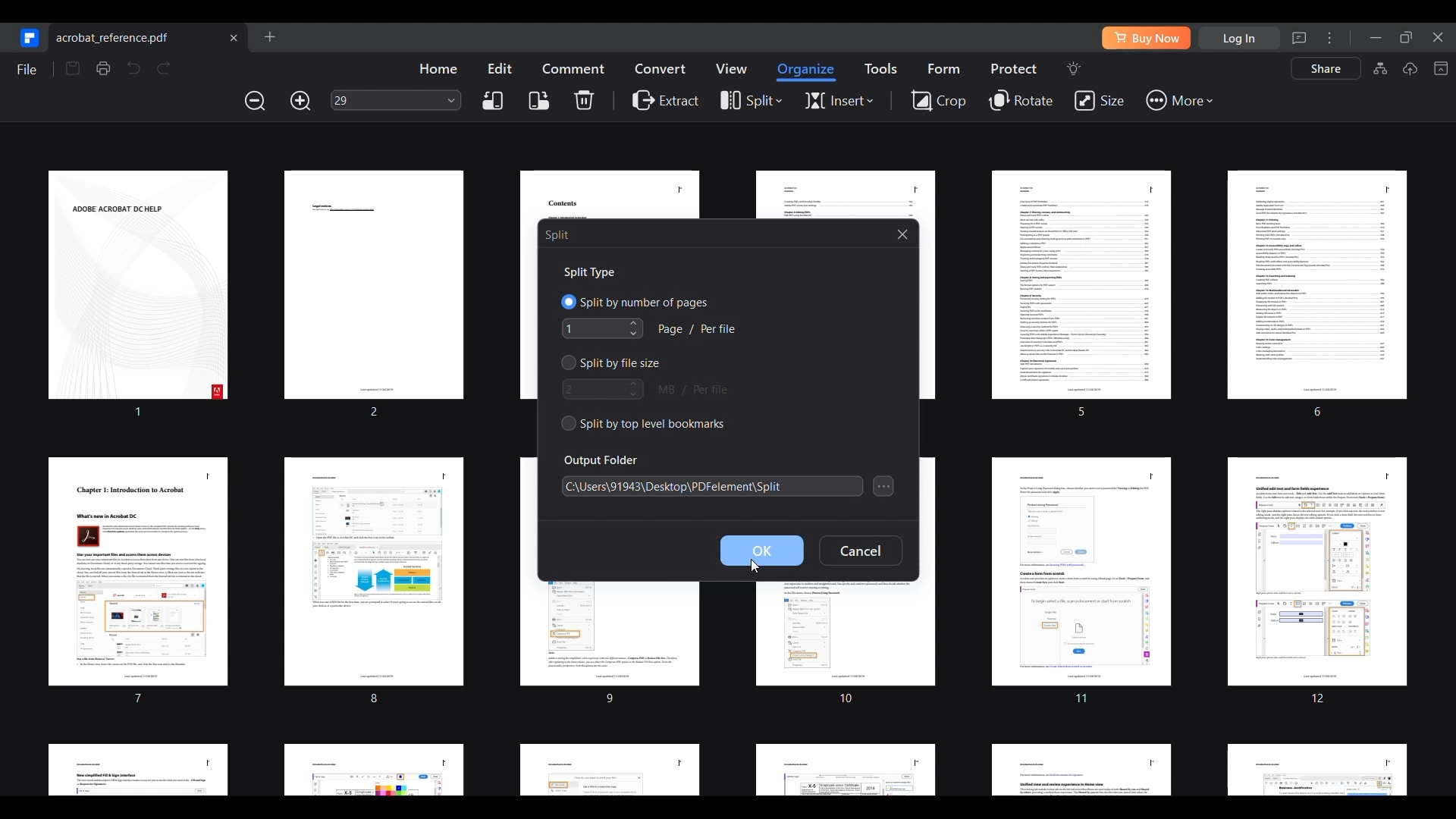  What do you see at coordinates (1299, 38) in the screenshot?
I see `Message center` at bounding box center [1299, 38].